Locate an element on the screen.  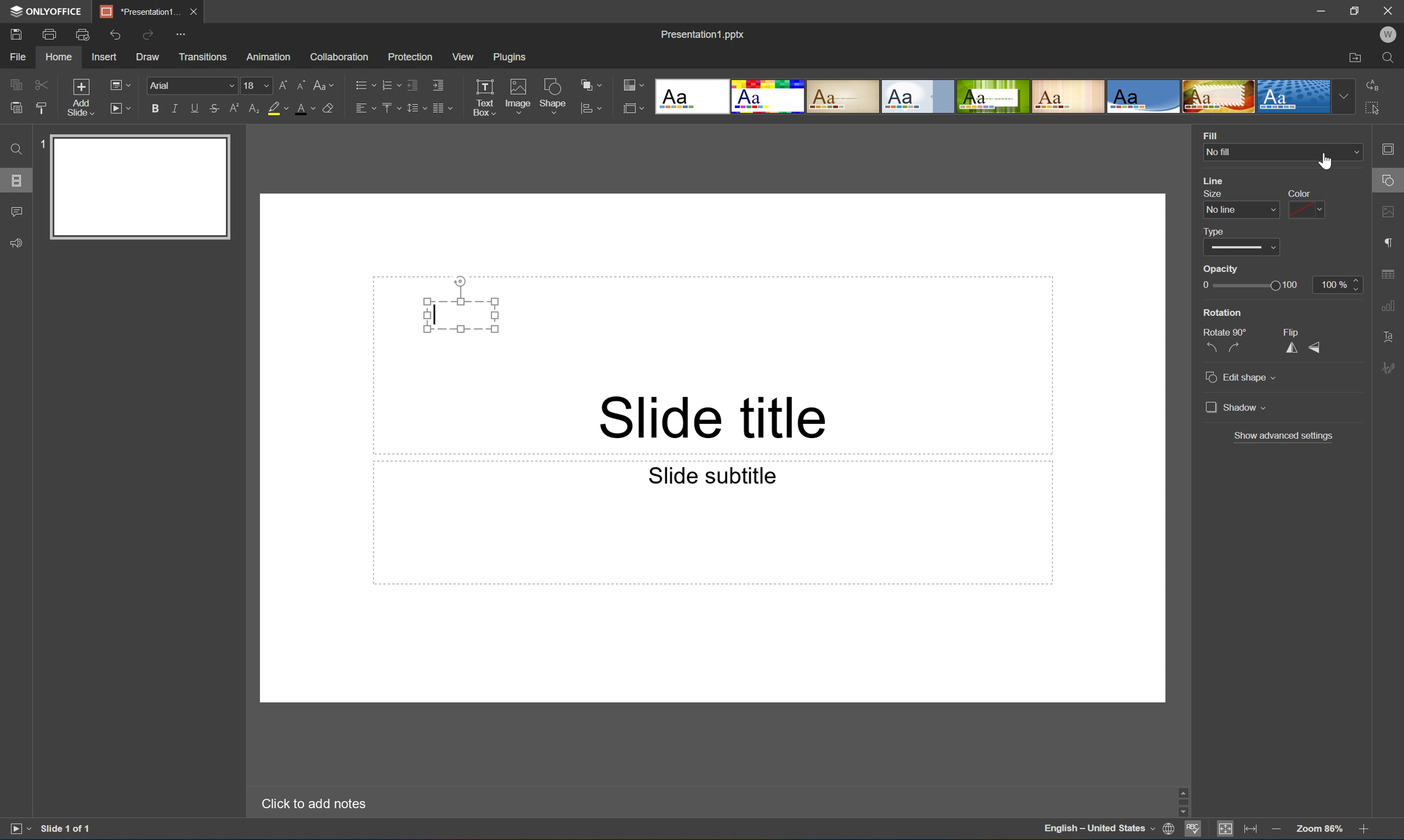
Vertical align is located at coordinates (389, 108).